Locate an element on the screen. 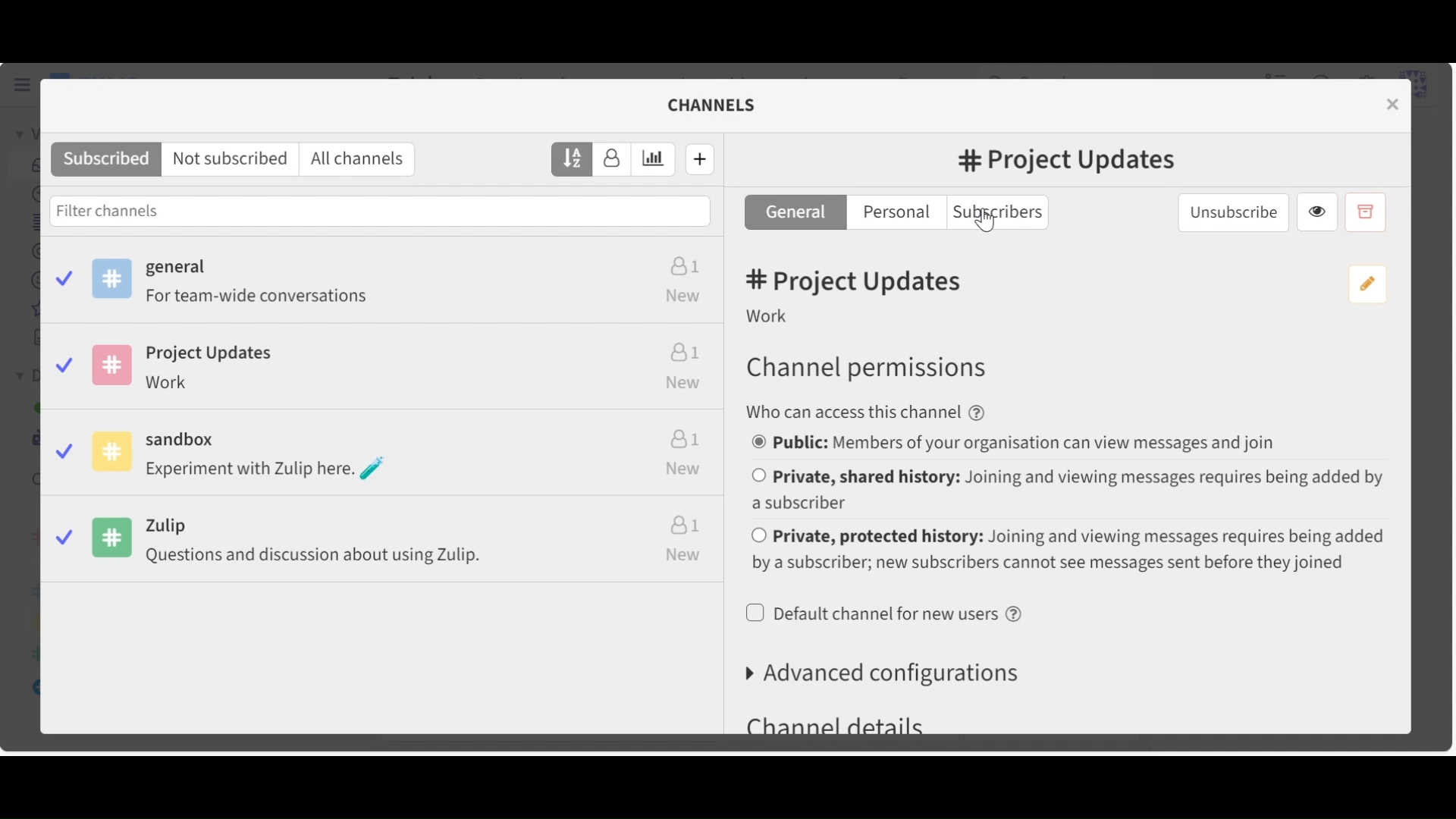 This screenshot has width=1456, height=819. Channel permissions is located at coordinates (868, 369).